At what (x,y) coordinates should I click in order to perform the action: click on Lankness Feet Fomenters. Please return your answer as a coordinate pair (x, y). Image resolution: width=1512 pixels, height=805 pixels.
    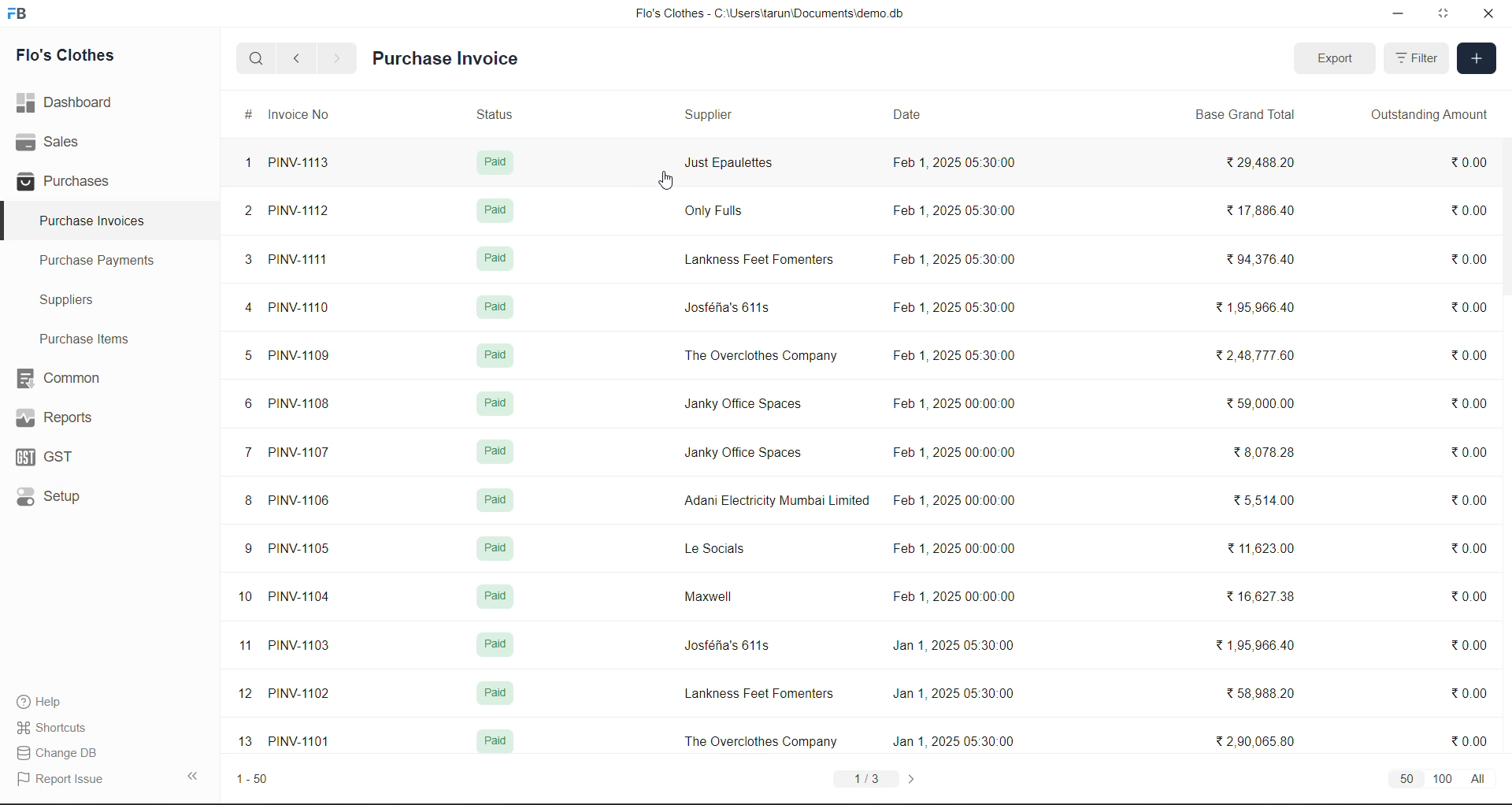
    Looking at the image, I should click on (762, 256).